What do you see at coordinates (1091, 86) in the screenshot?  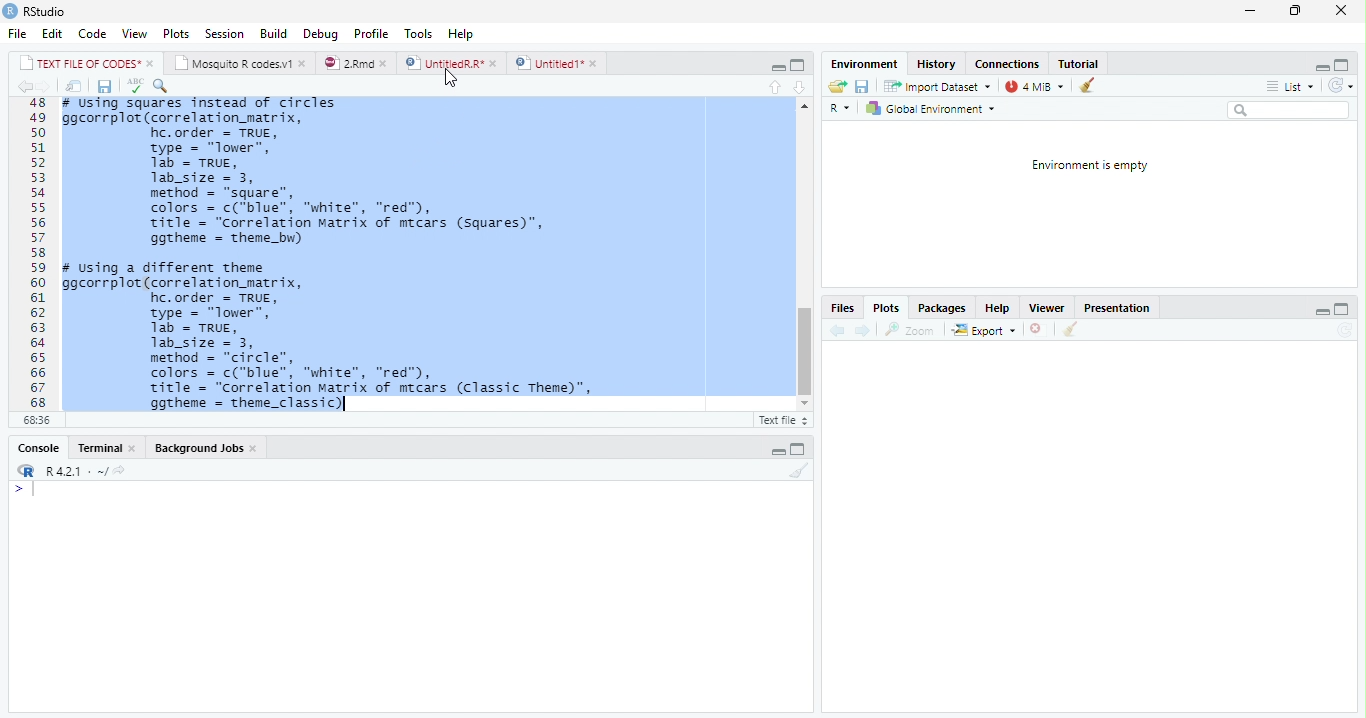 I see `clear history` at bounding box center [1091, 86].